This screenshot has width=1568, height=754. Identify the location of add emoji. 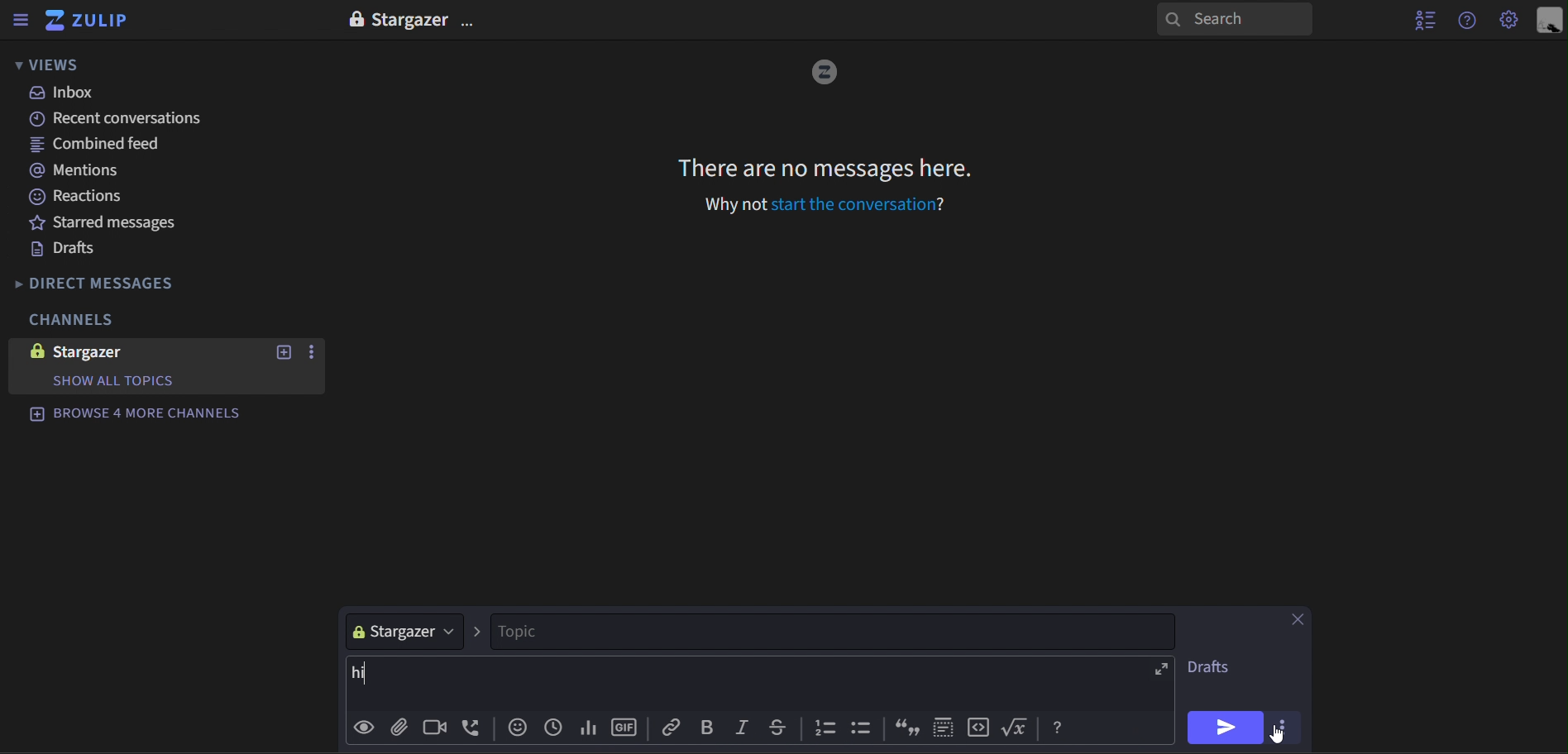
(515, 728).